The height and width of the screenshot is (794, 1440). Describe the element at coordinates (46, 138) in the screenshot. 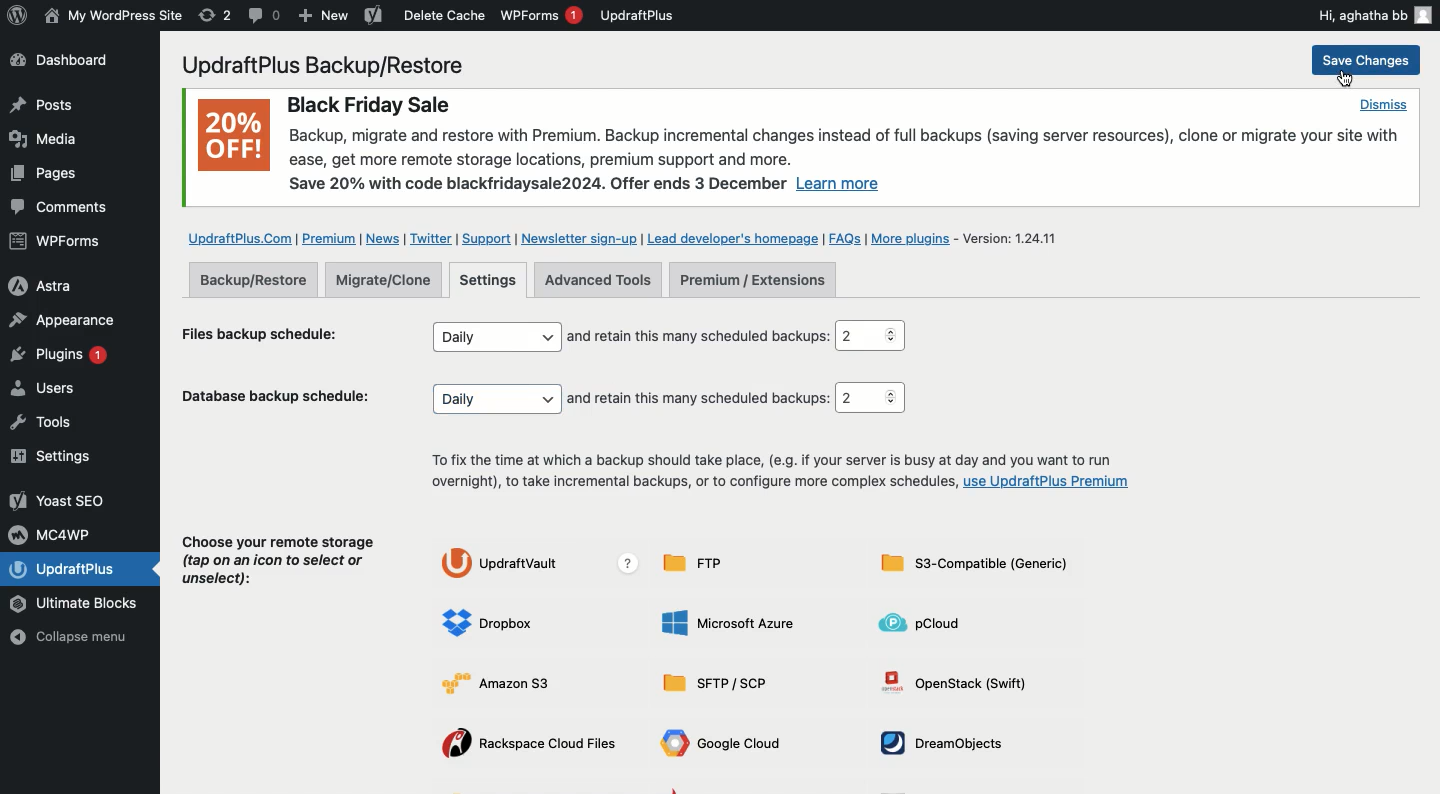

I see `Media` at that location.